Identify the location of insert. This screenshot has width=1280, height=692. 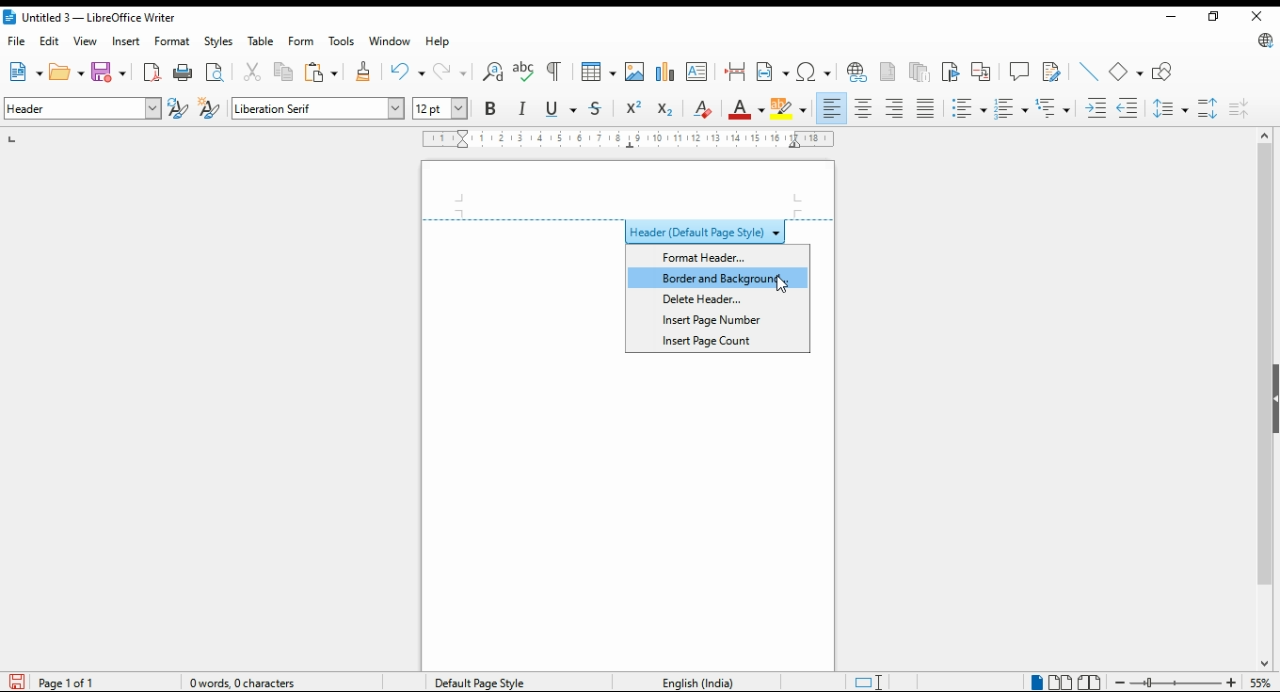
(125, 41).